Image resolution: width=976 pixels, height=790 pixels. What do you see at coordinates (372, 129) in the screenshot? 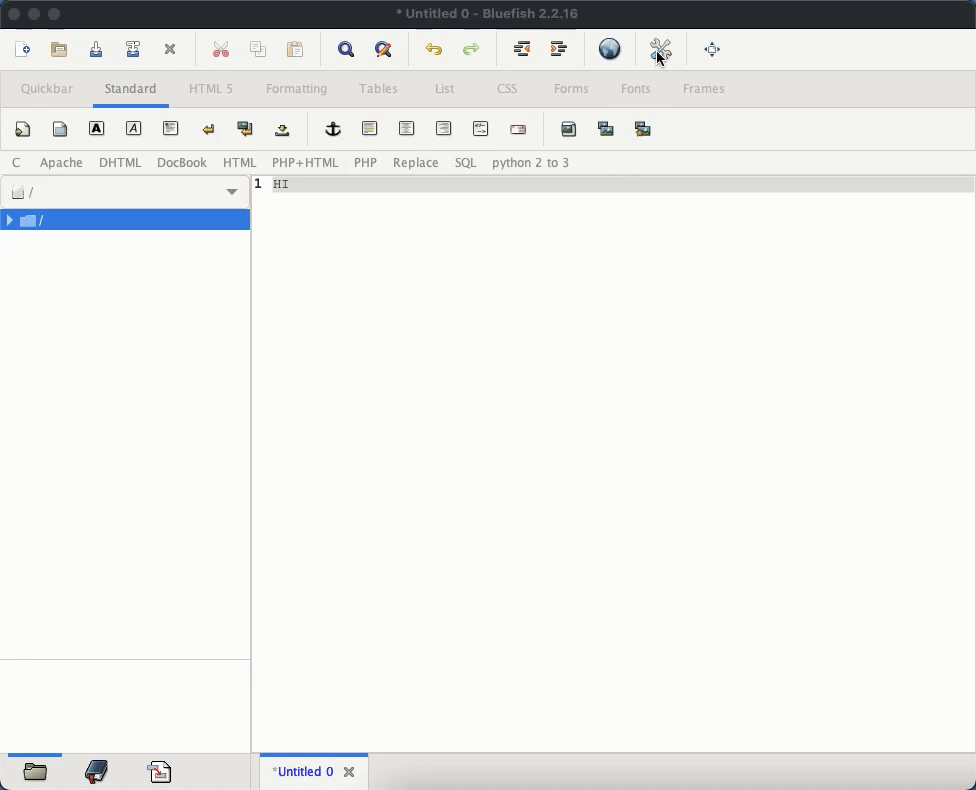
I see `horizontal rule` at bounding box center [372, 129].